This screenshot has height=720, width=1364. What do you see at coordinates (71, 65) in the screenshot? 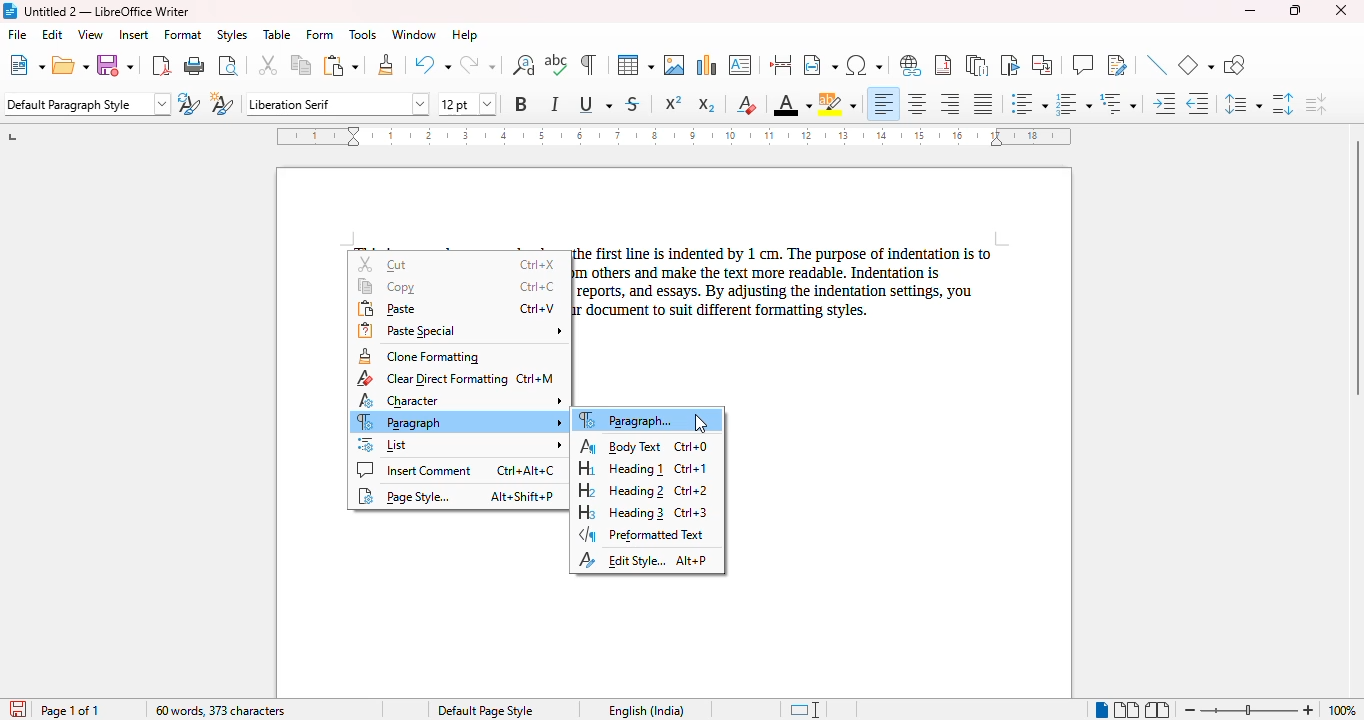
I see `open` at bounding box center [71, 65].